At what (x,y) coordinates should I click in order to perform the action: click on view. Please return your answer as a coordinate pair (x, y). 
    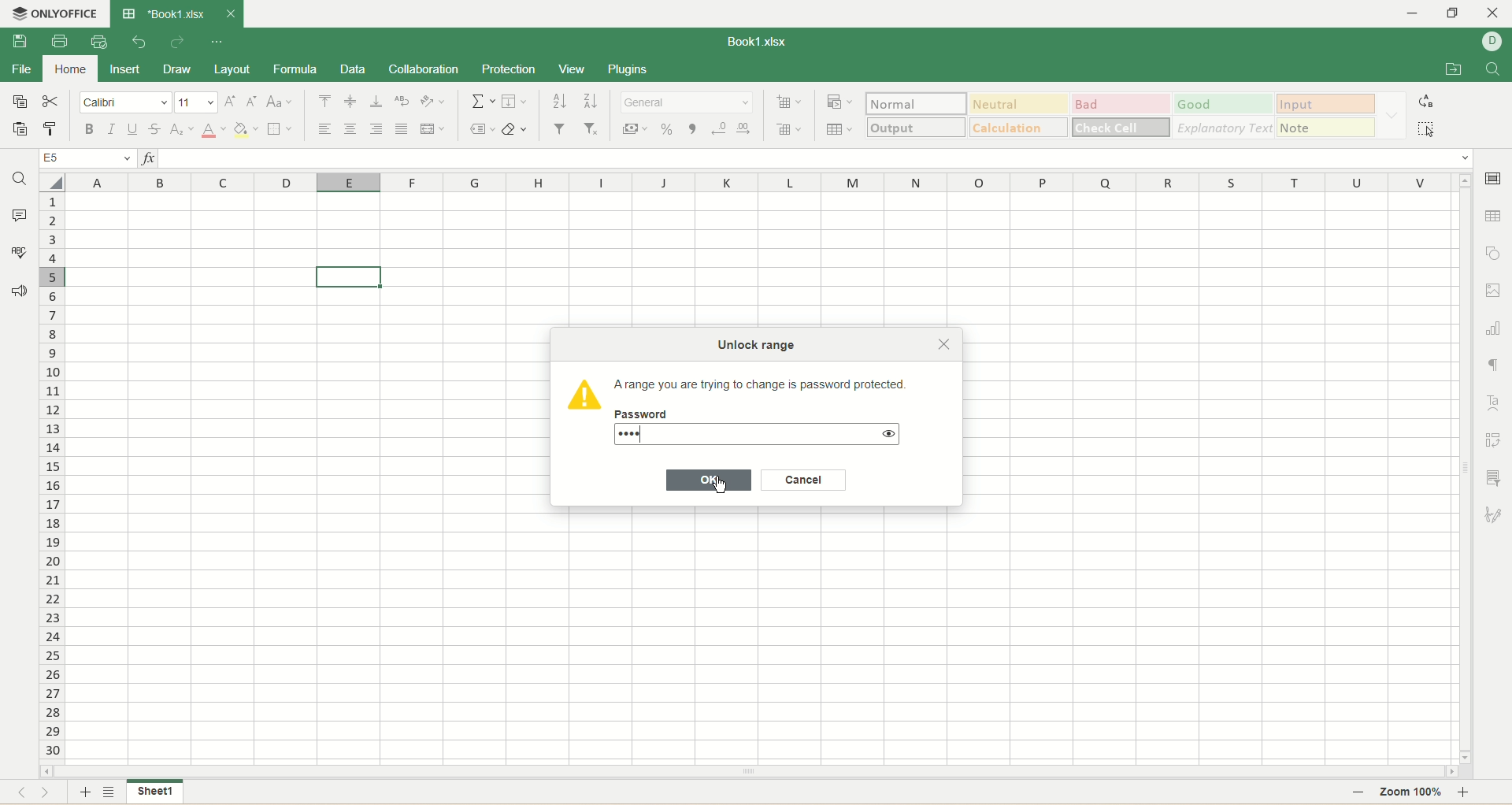
    Looking at the image, I should click on (572, 69).